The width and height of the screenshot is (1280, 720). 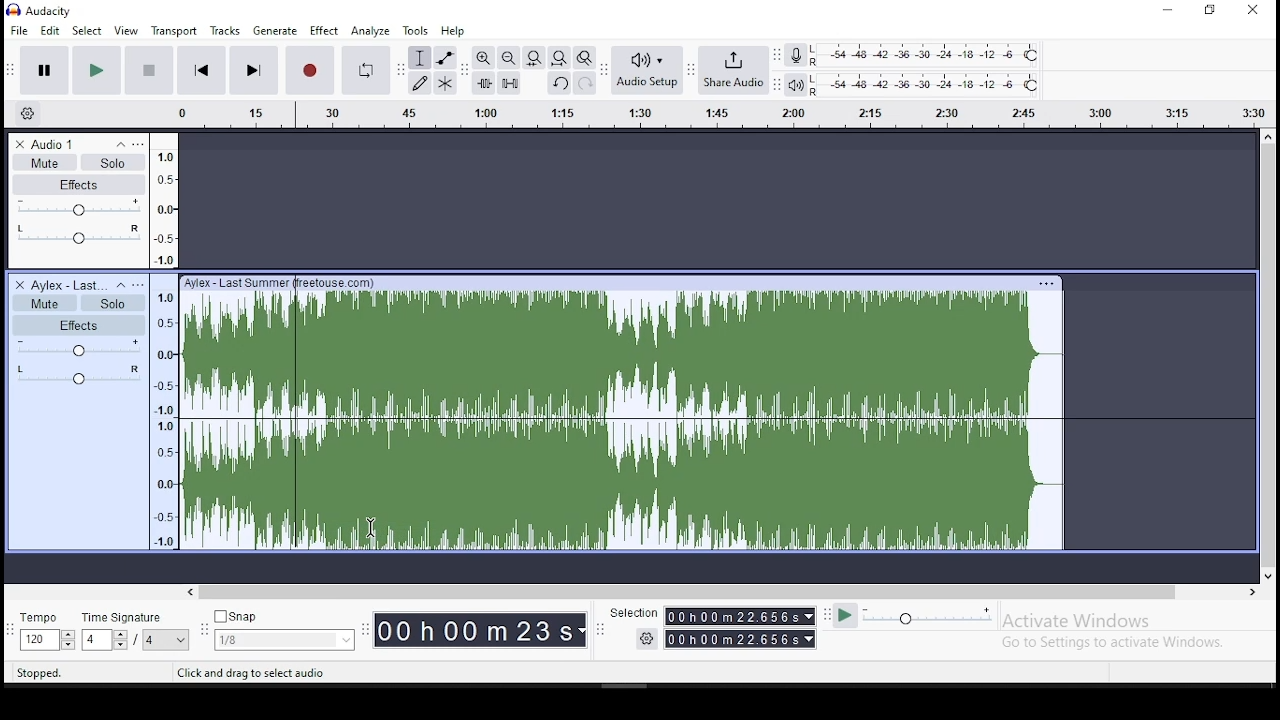 I want to click on pan, so click(x=77, y=236).